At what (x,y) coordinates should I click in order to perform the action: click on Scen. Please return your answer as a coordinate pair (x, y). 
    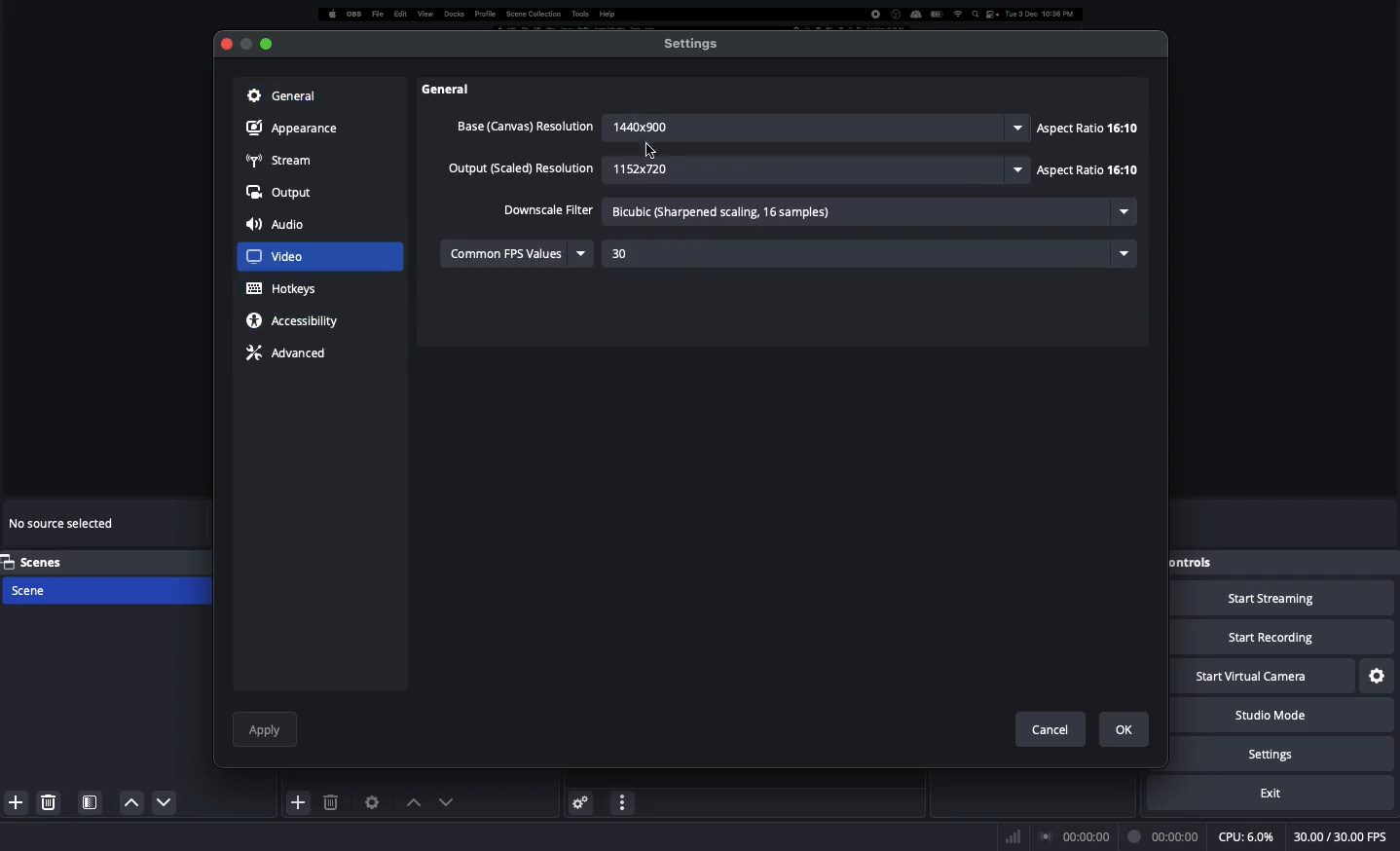
    Looking at the image, I should click on (104, 589).